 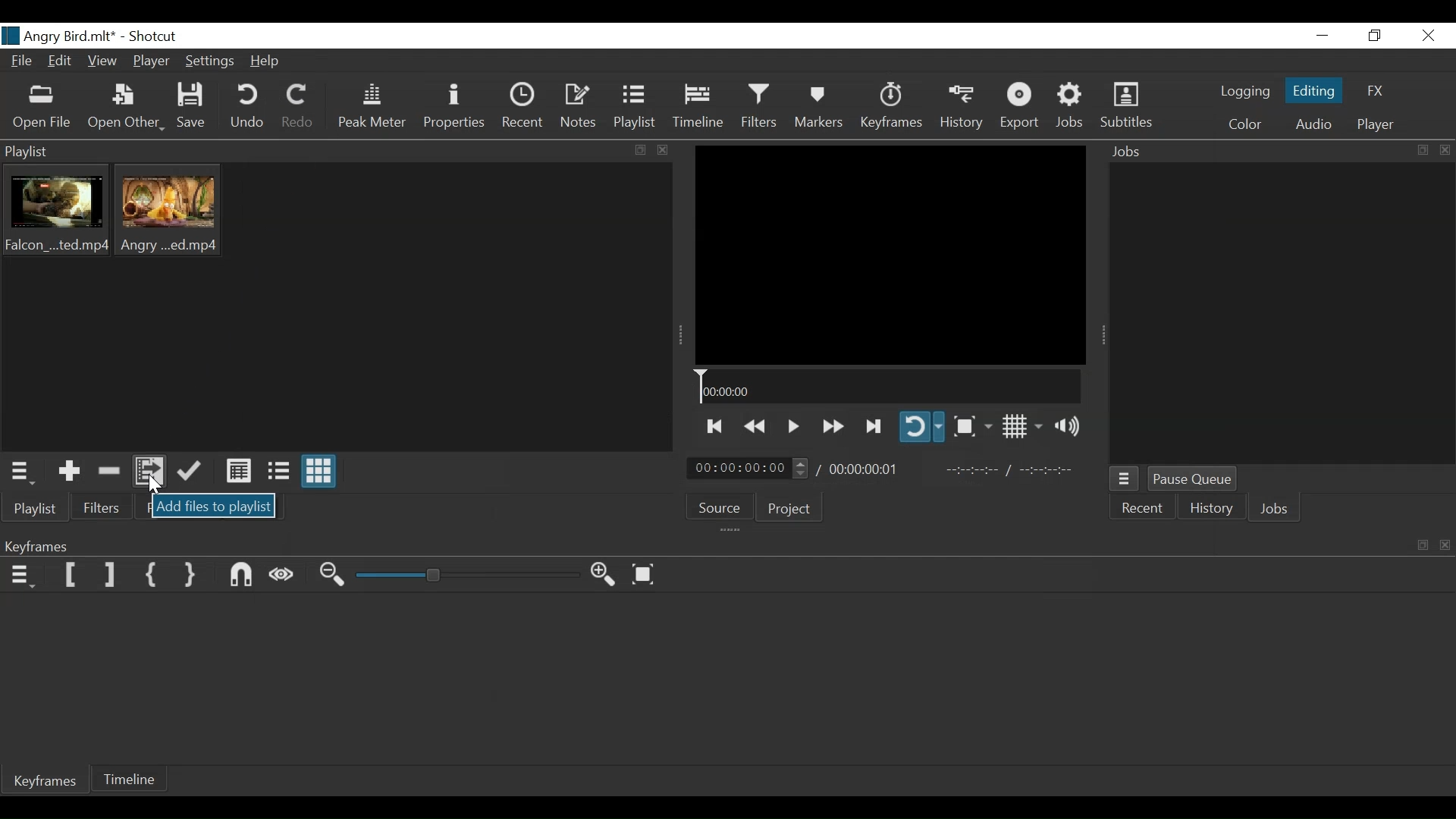 I want to click on Cursor, so click(x=152, y=486).